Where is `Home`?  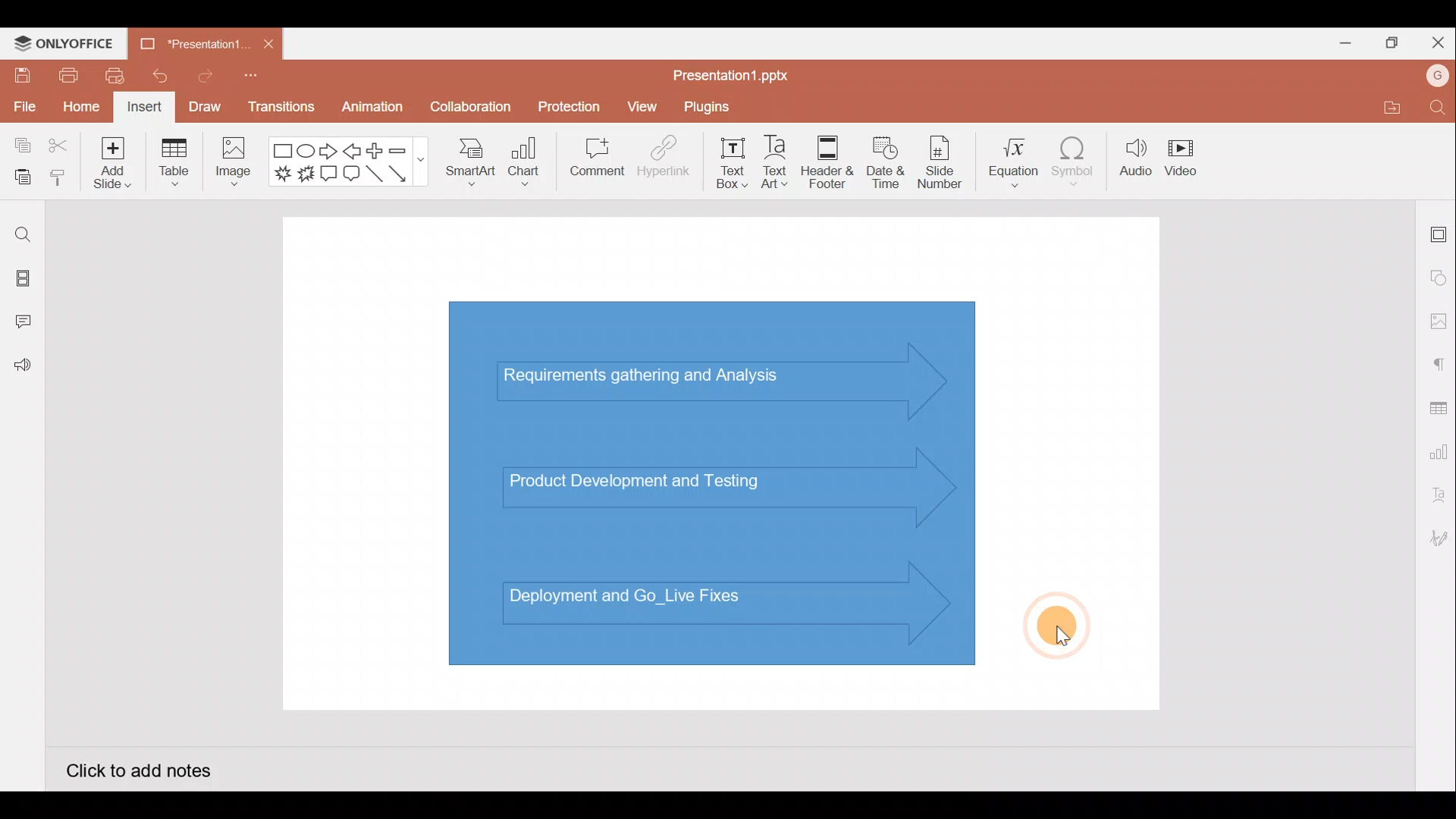 Home is located at coordinates (81, 108).